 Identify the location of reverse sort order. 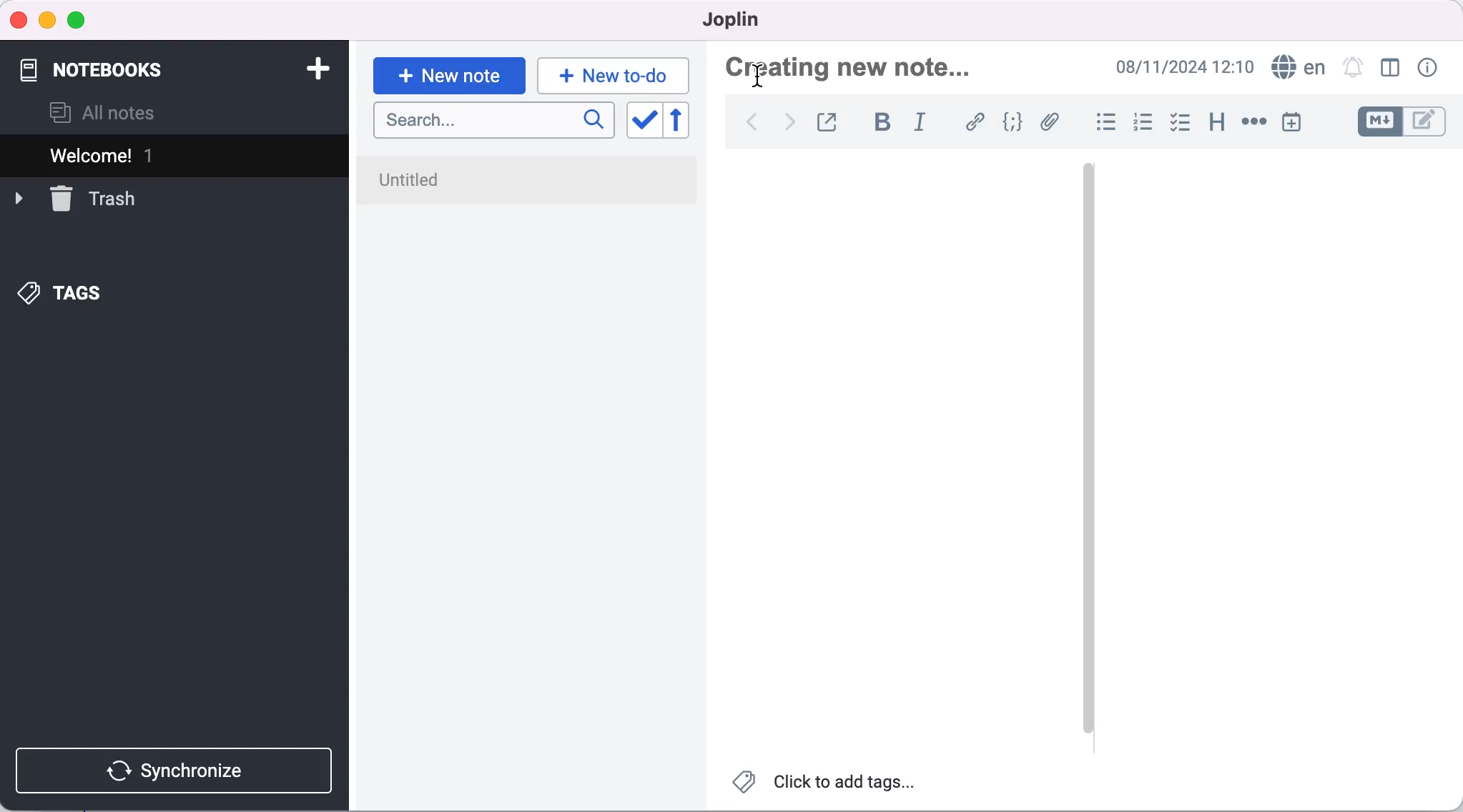
(685, 124).